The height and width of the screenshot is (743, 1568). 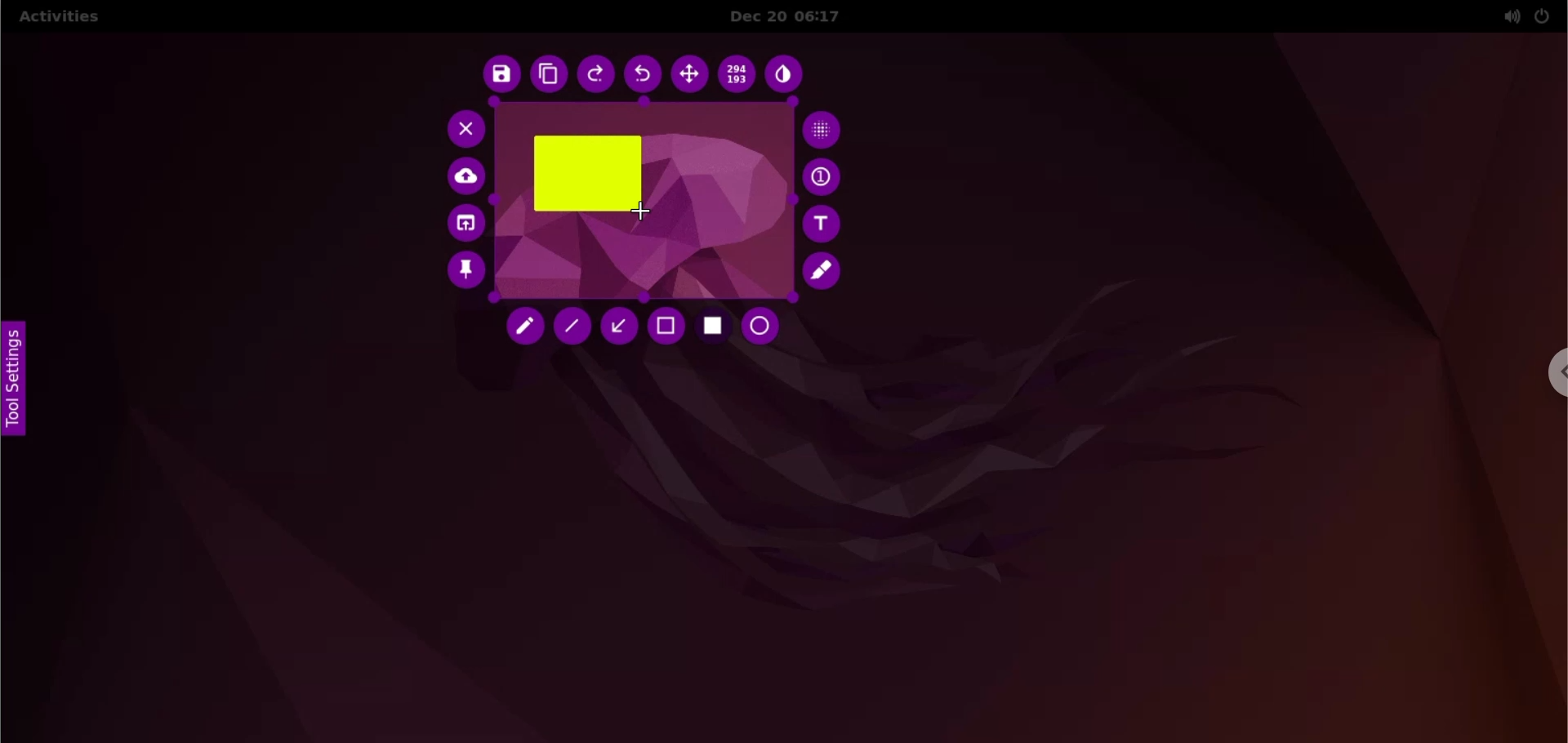 What do you see at coordinates (528, 329) in the screenshot?
I see `pencil` at bounding box center [528, 329].